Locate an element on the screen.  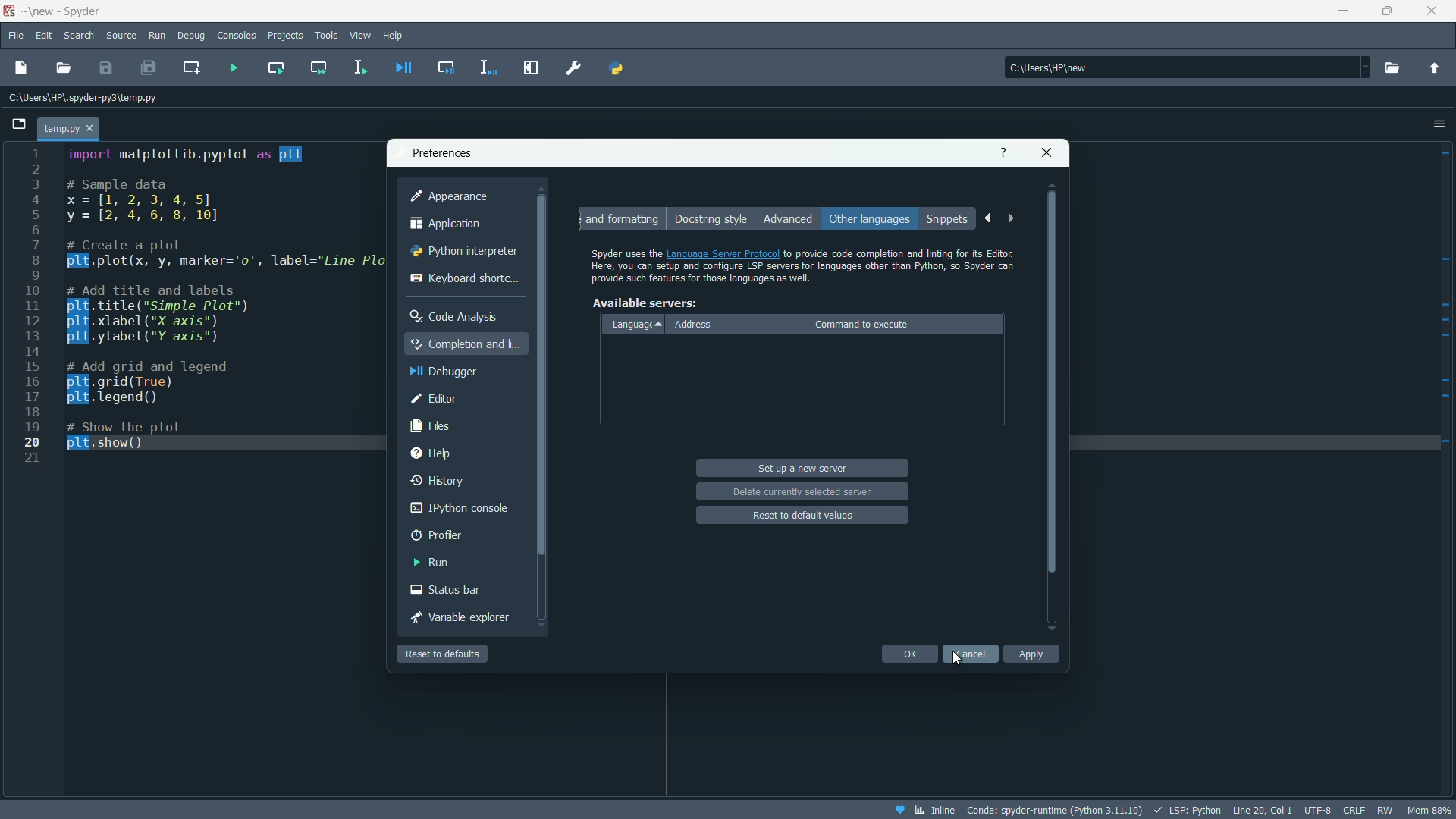
back is located at coordinates (987, 218).